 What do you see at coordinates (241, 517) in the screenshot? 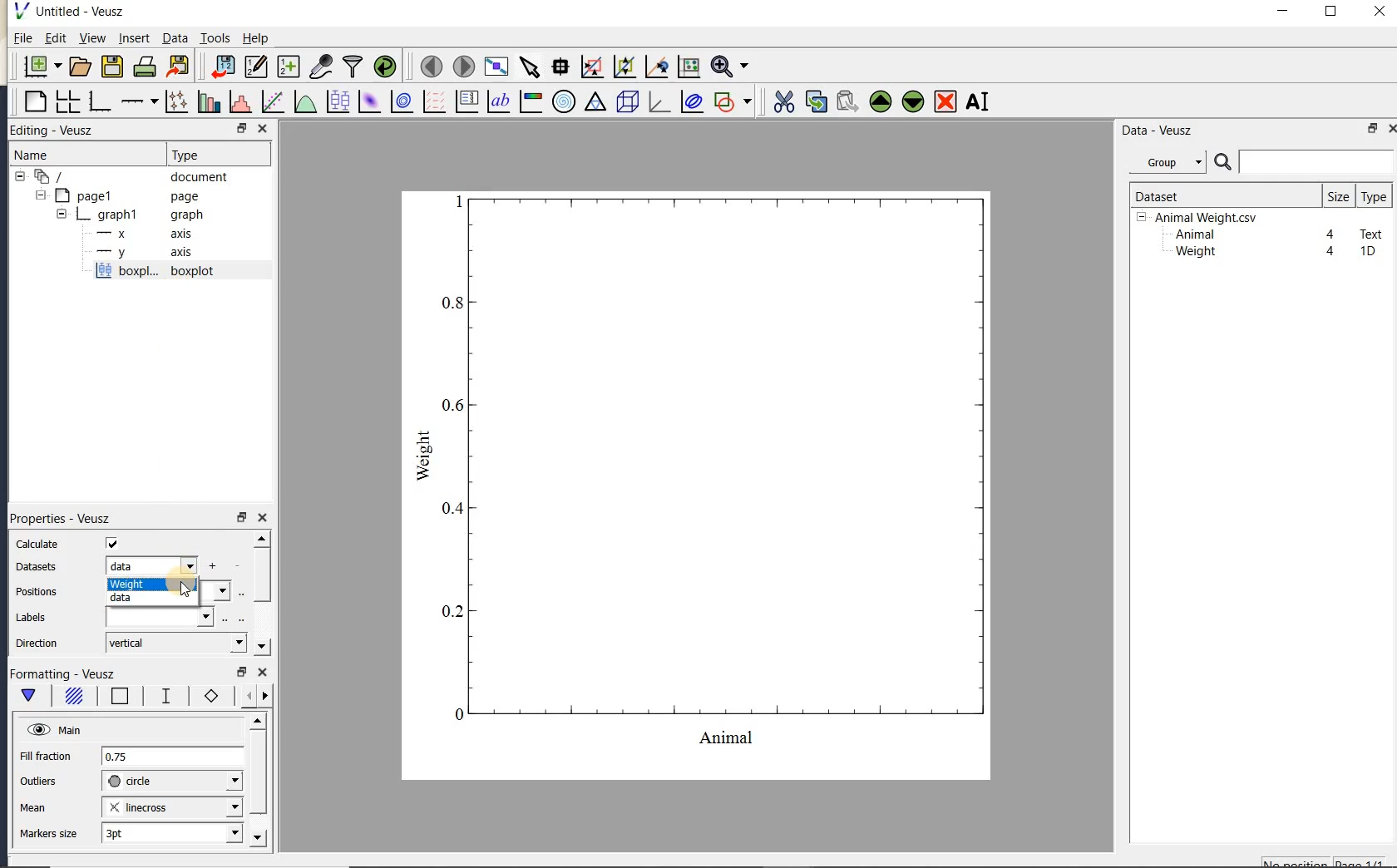
I see `restore` at bounding box center [241, 517].